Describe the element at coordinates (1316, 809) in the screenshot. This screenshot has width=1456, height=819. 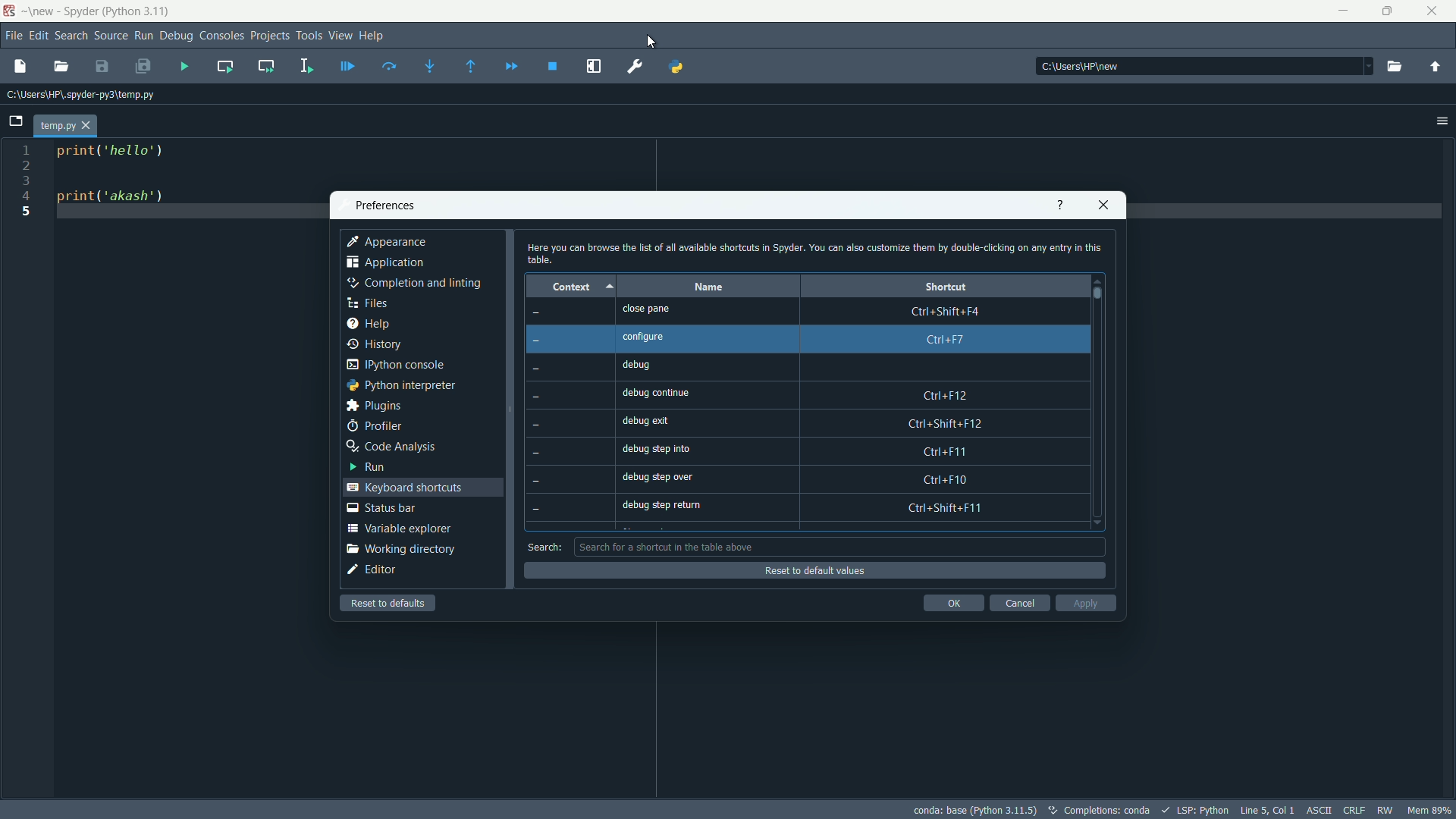
I see `file encoding` at that location.